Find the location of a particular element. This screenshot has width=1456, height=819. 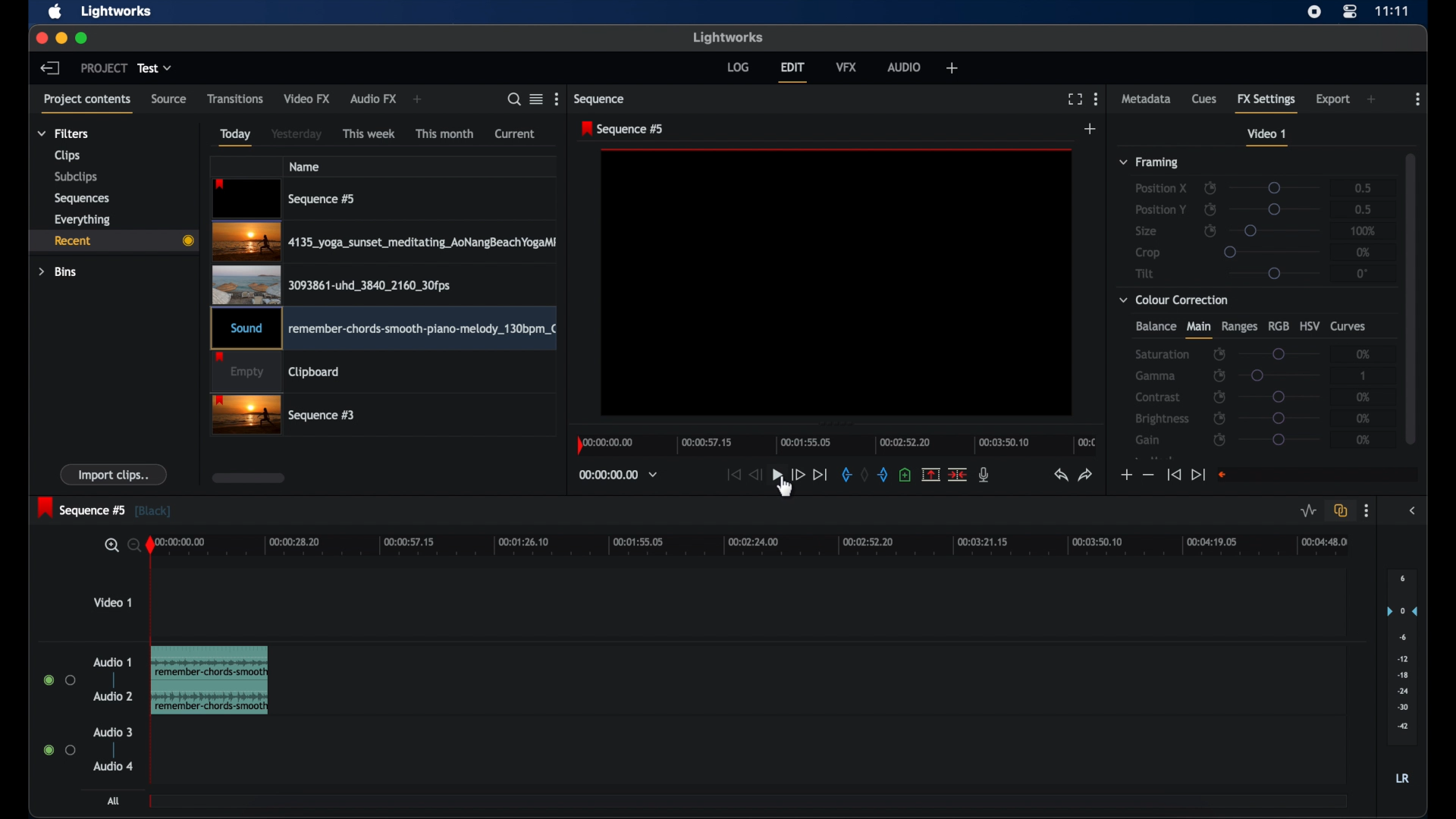

project contents is located at coordinates (88, 105).